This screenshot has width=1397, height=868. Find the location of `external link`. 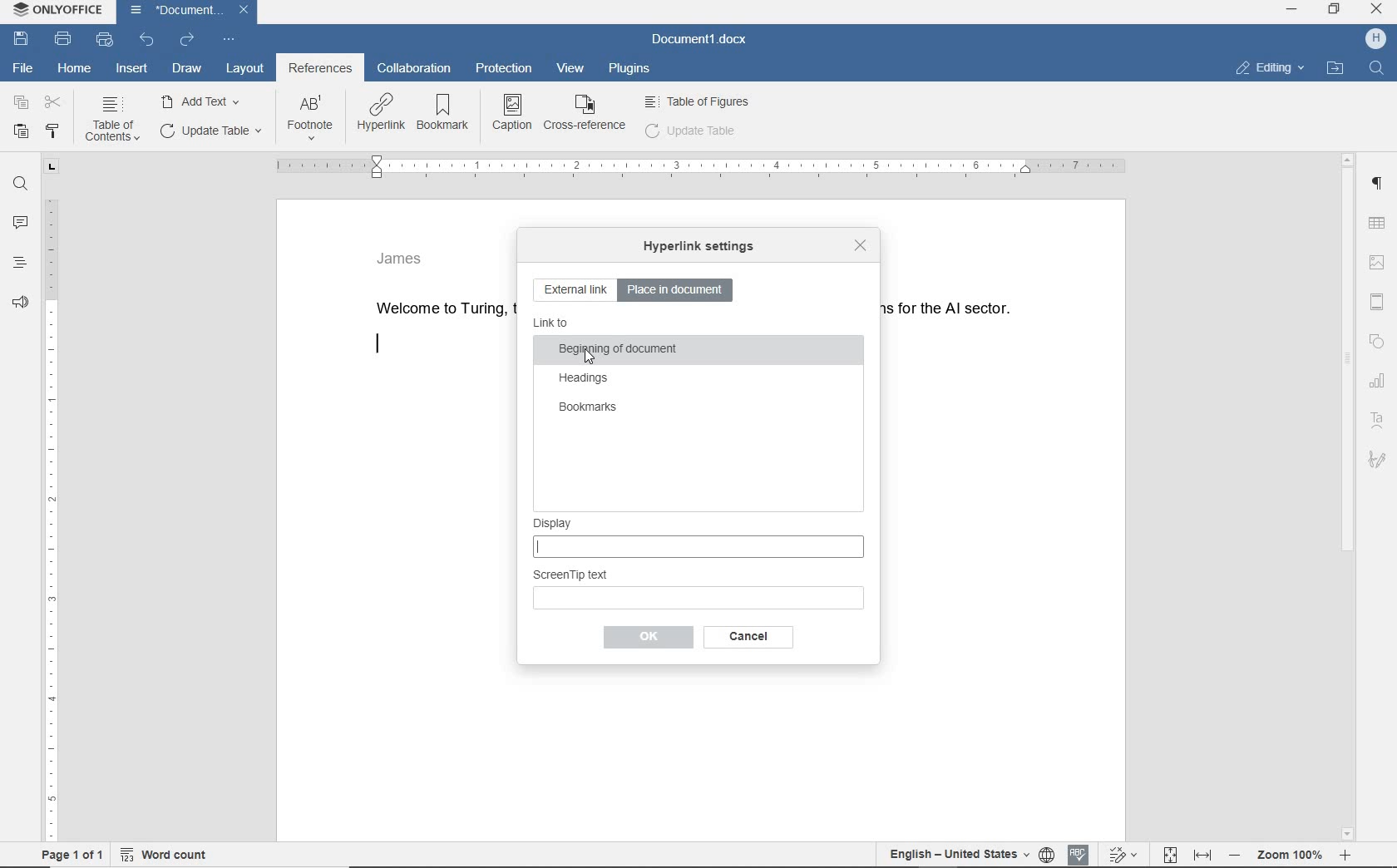

external link is located at coordinates (575, 291).